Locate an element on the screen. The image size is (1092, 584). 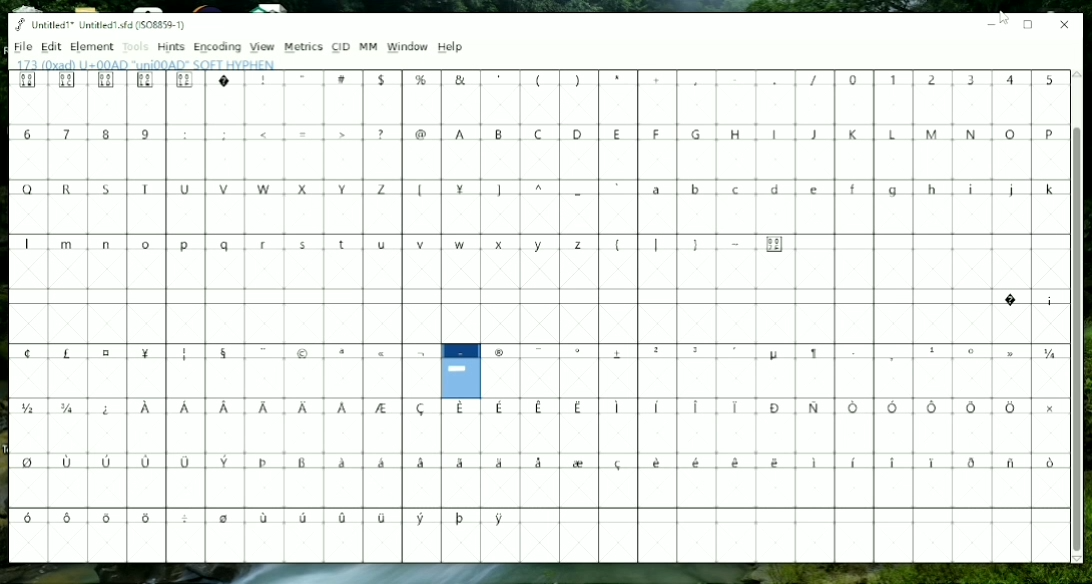
Symbols is located at coordinates (268, 520).